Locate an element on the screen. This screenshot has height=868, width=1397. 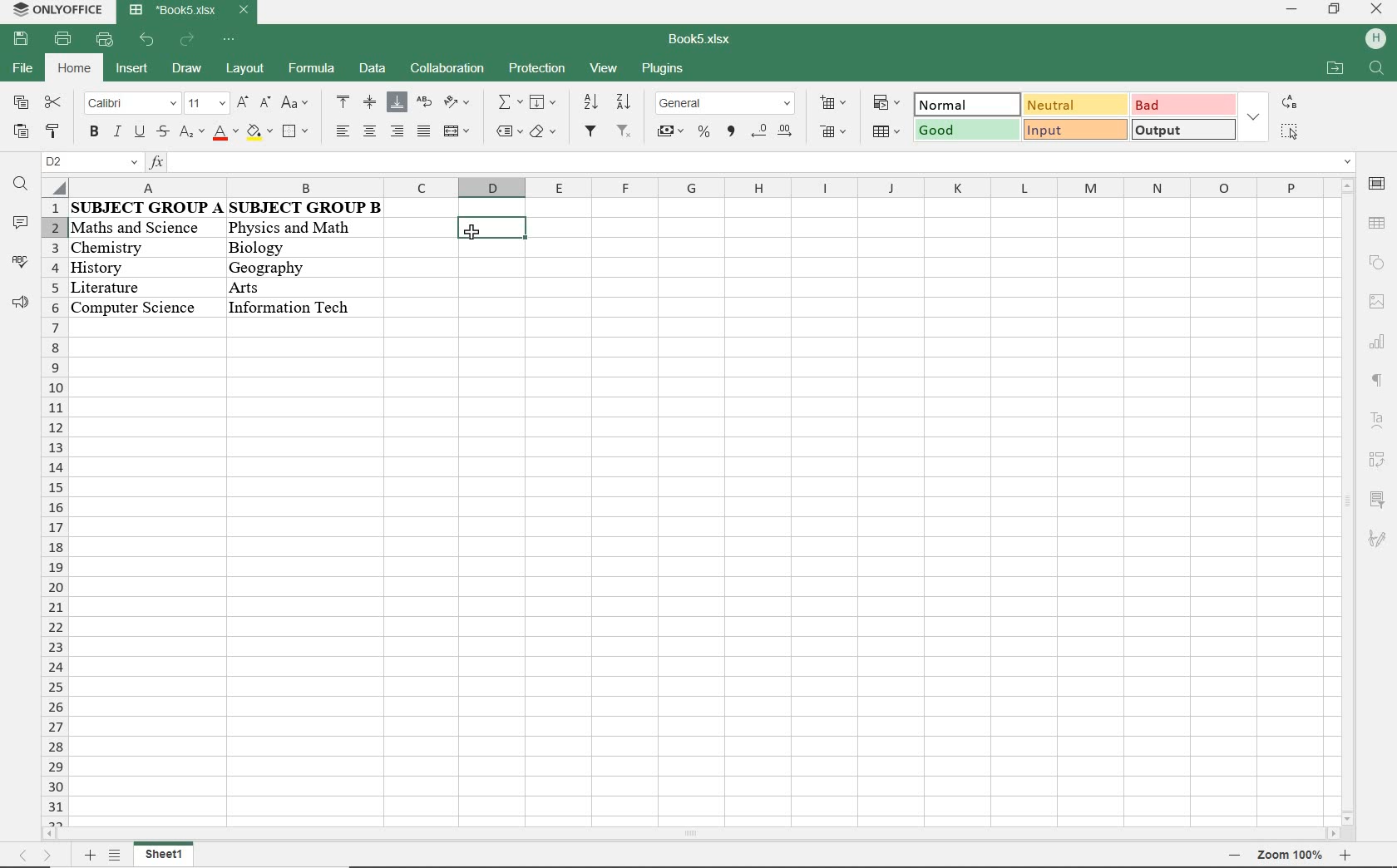
document name is located at coordinates (701, 40).